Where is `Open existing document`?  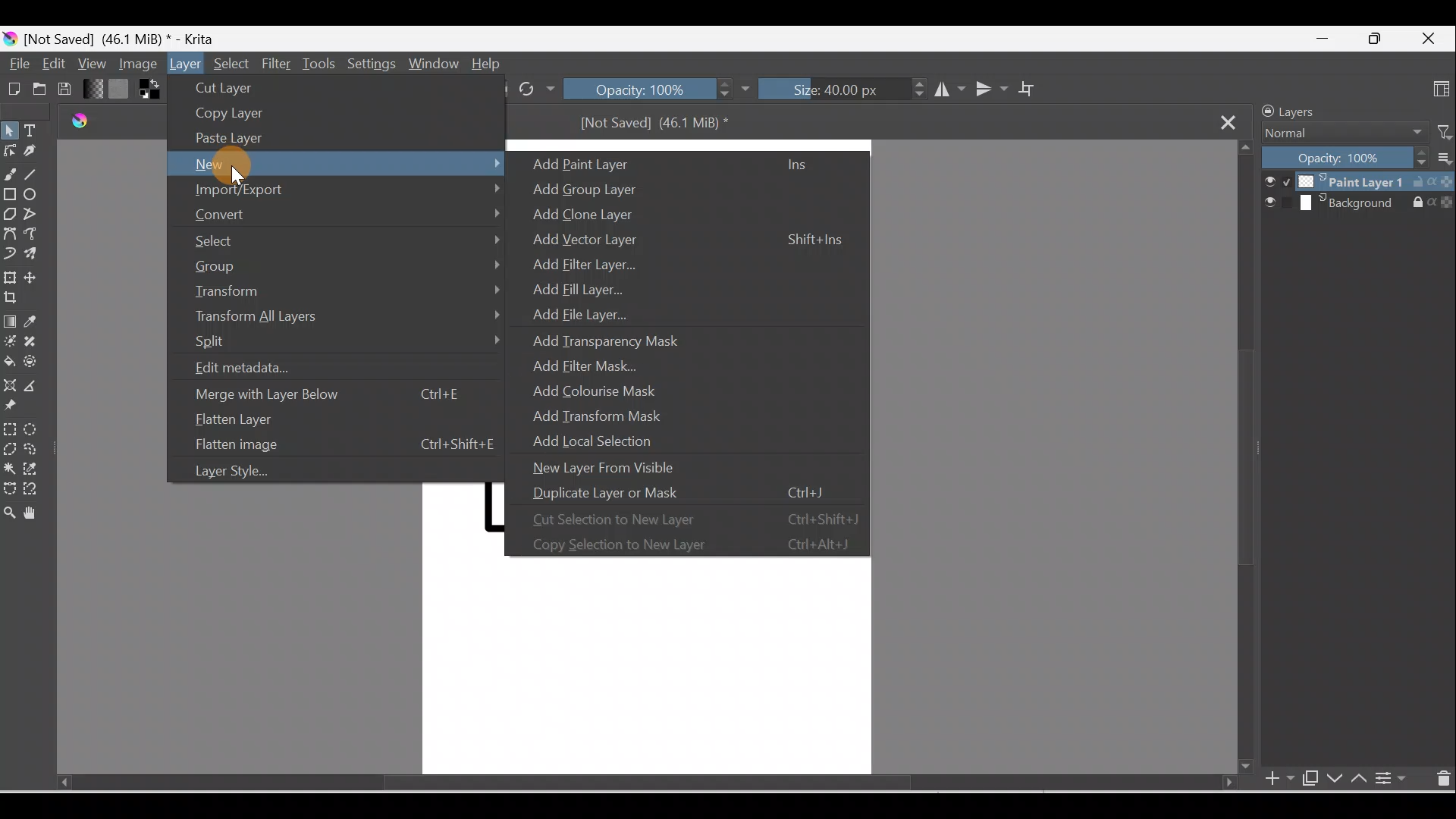 Open existing document is located at coordinates (38, 90).